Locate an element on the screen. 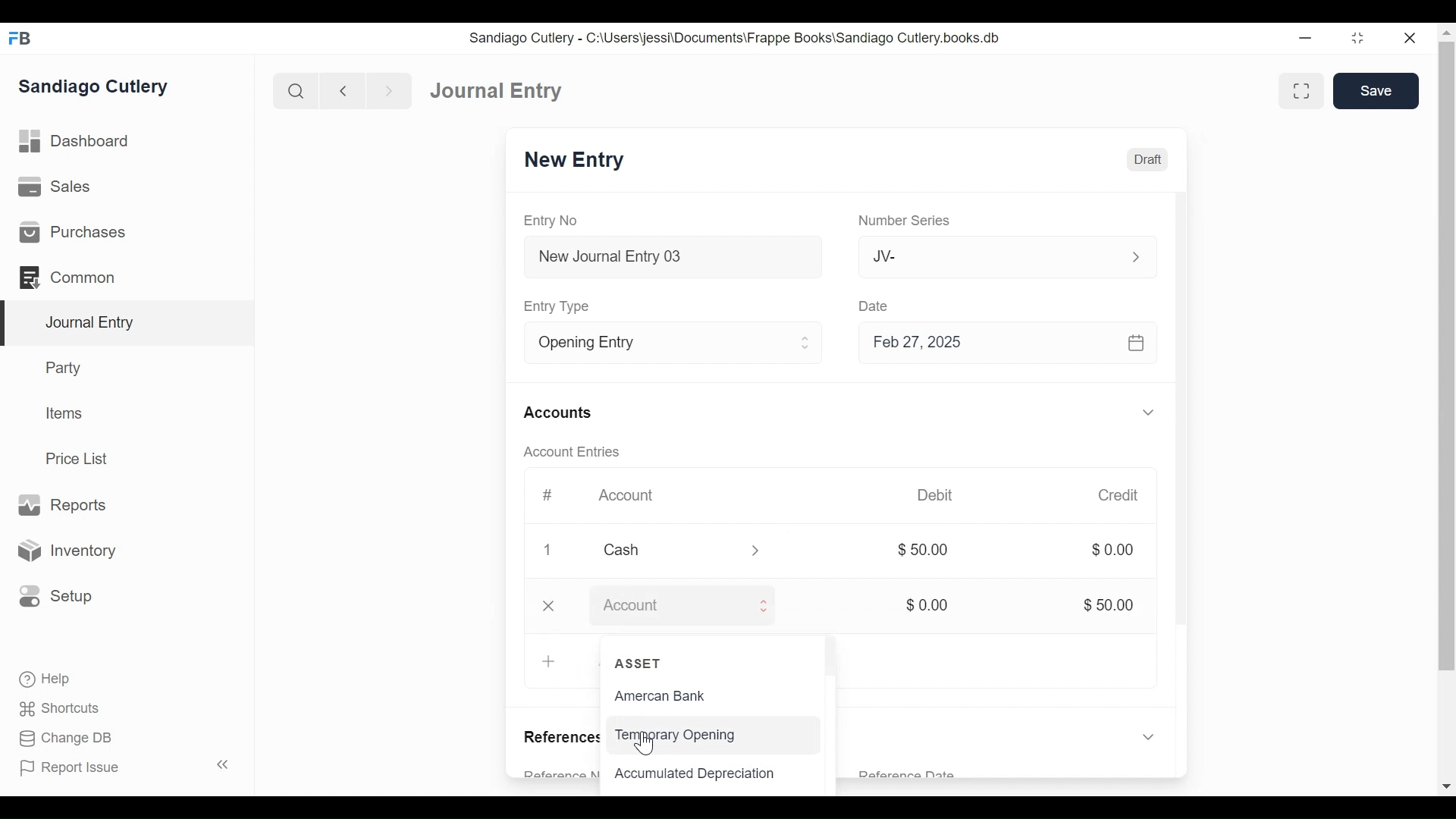 This screenshot has height=819, width=1456. ASSET is located at coordinates (639, 664).